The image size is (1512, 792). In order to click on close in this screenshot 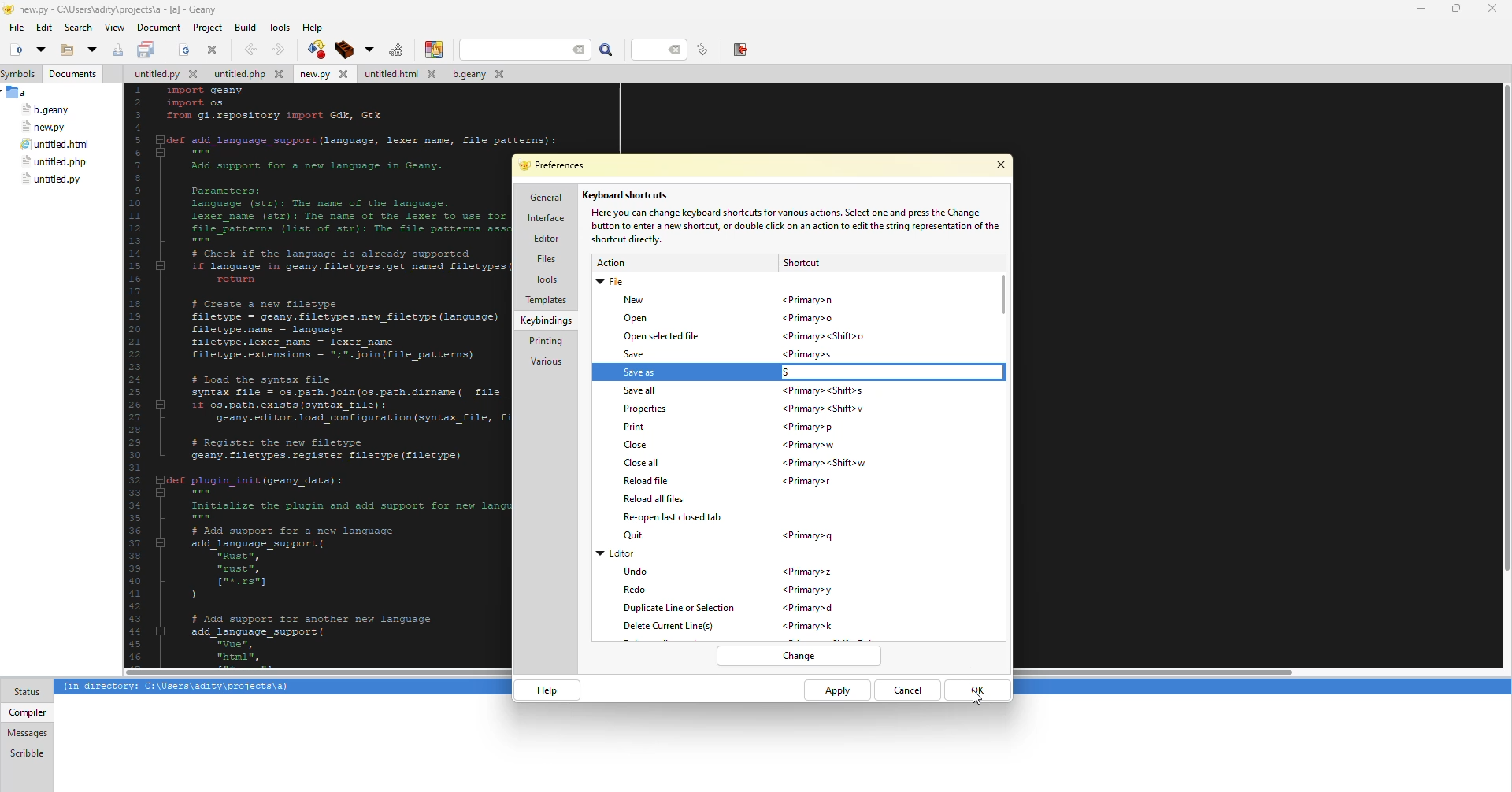, I will do `click(636, 445)`.